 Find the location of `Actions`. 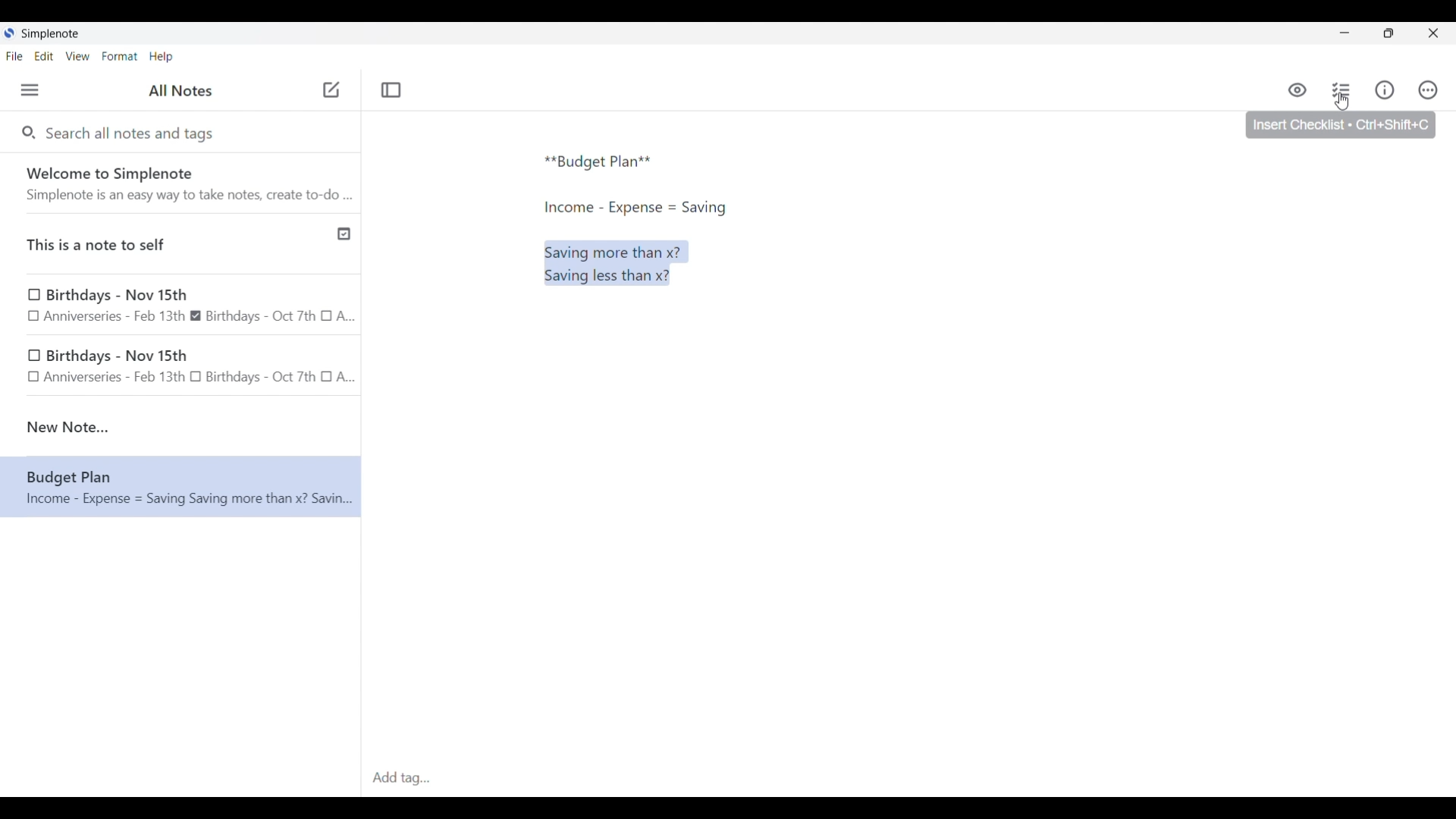

Actions is located at coordinates (1427, 90).